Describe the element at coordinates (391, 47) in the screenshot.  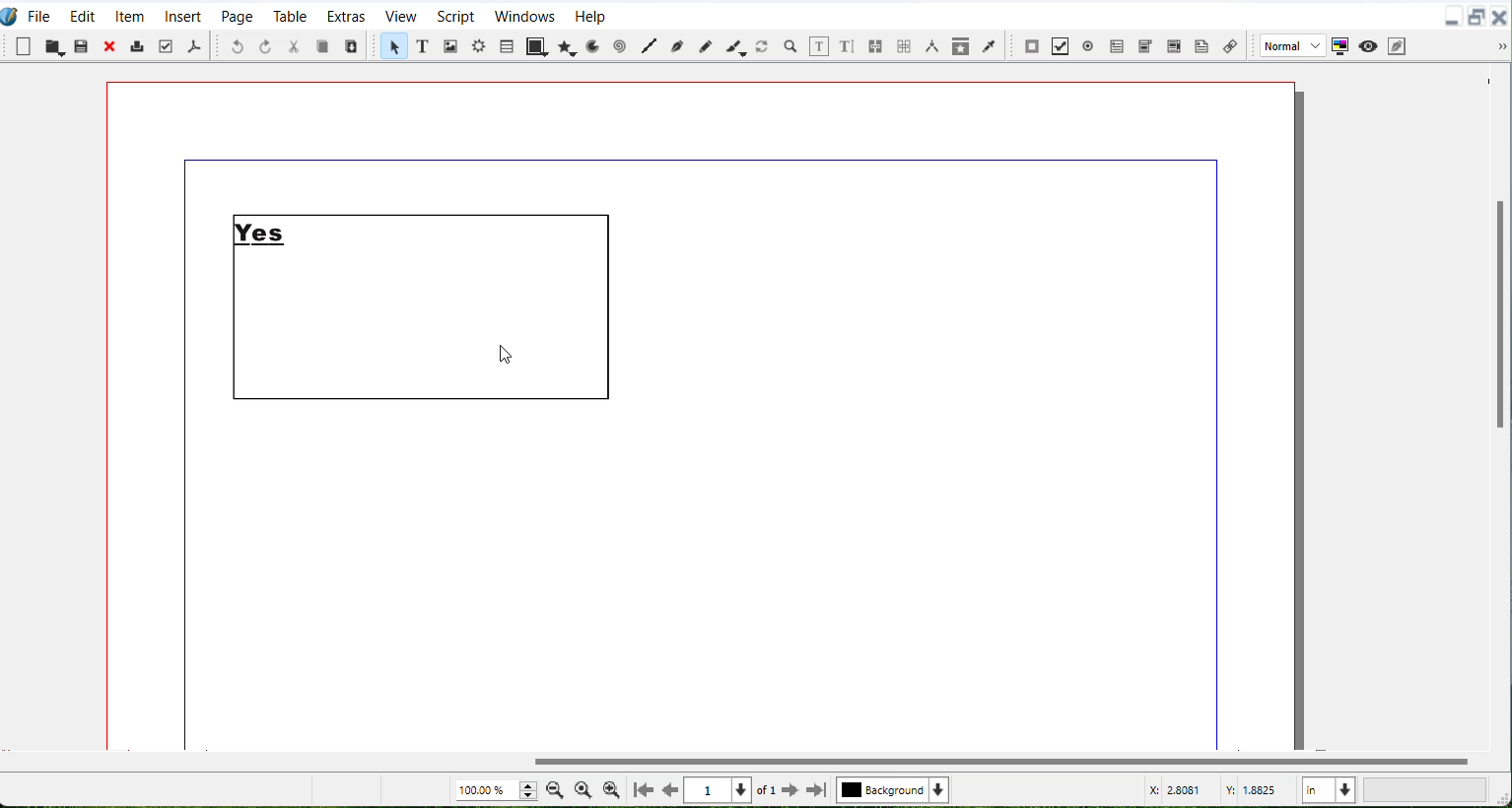
I see `Select Item` at that location.